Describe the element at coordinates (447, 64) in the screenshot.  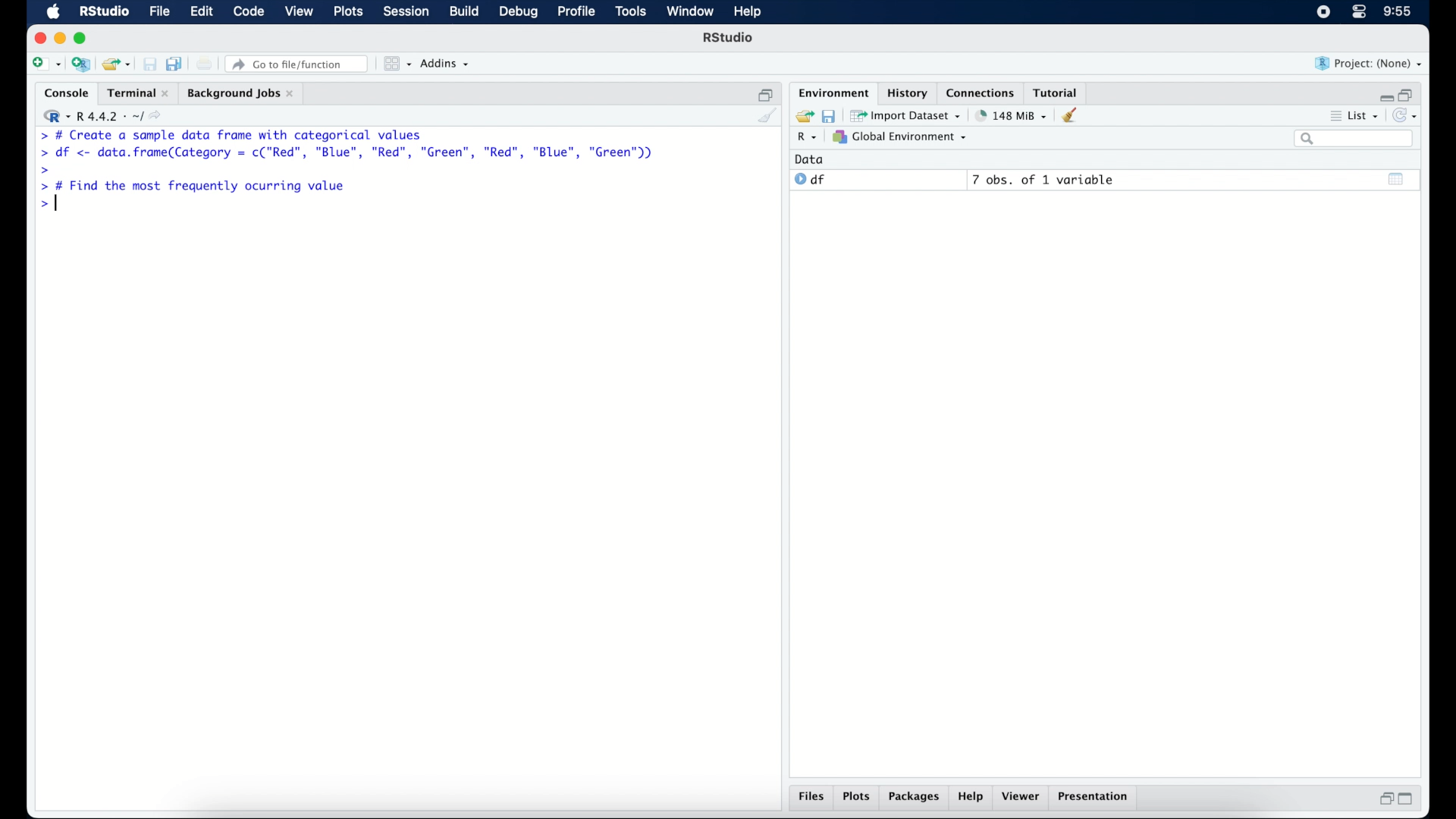
I see `addins` at that location.